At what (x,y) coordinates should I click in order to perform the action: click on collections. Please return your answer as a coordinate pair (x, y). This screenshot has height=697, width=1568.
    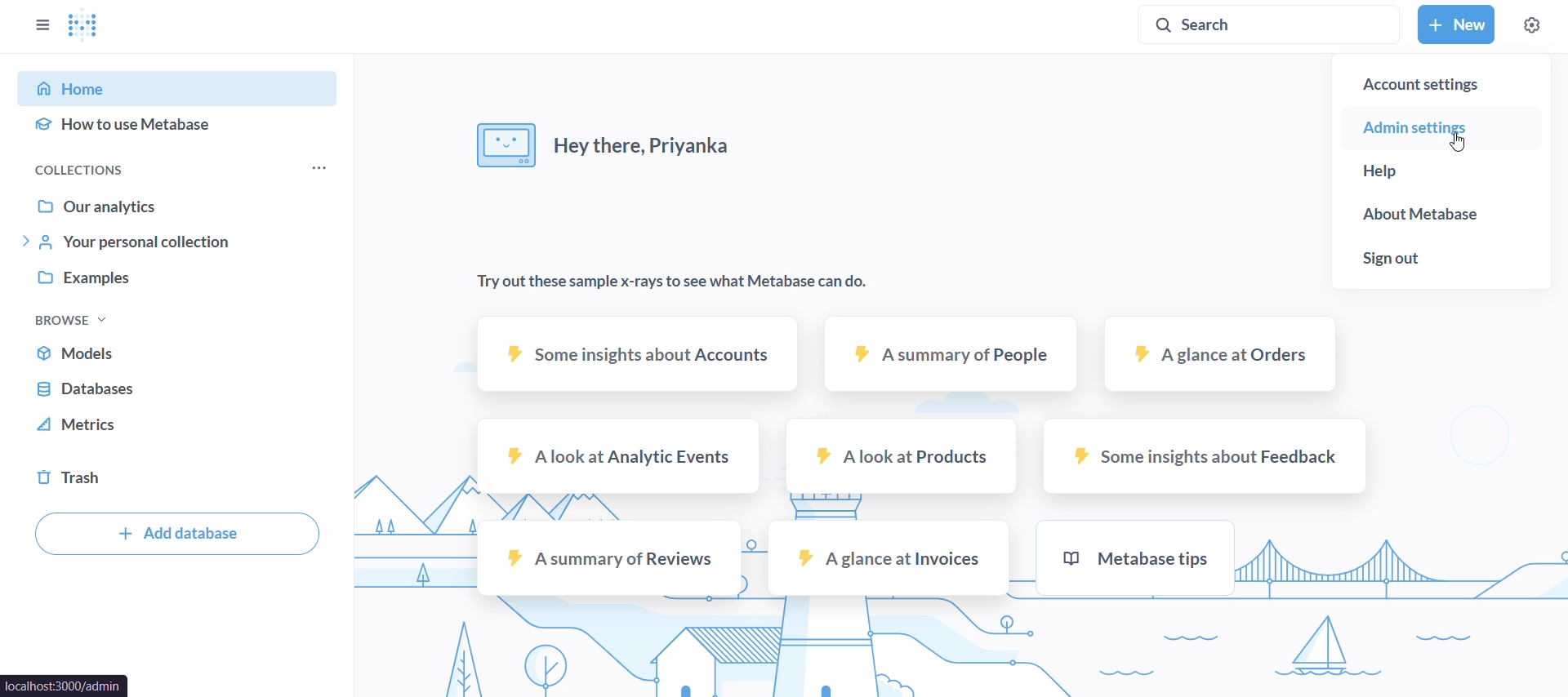
    Looking at the image, I should click on (87, 169).